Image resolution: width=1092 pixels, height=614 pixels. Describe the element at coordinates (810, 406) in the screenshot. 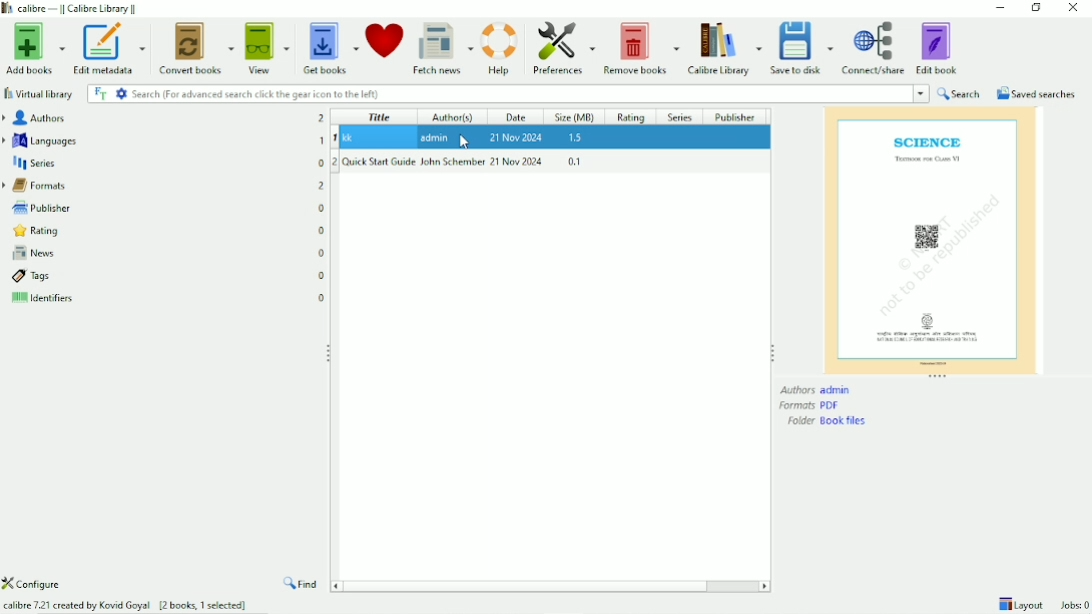

I see `Formats` at that location.